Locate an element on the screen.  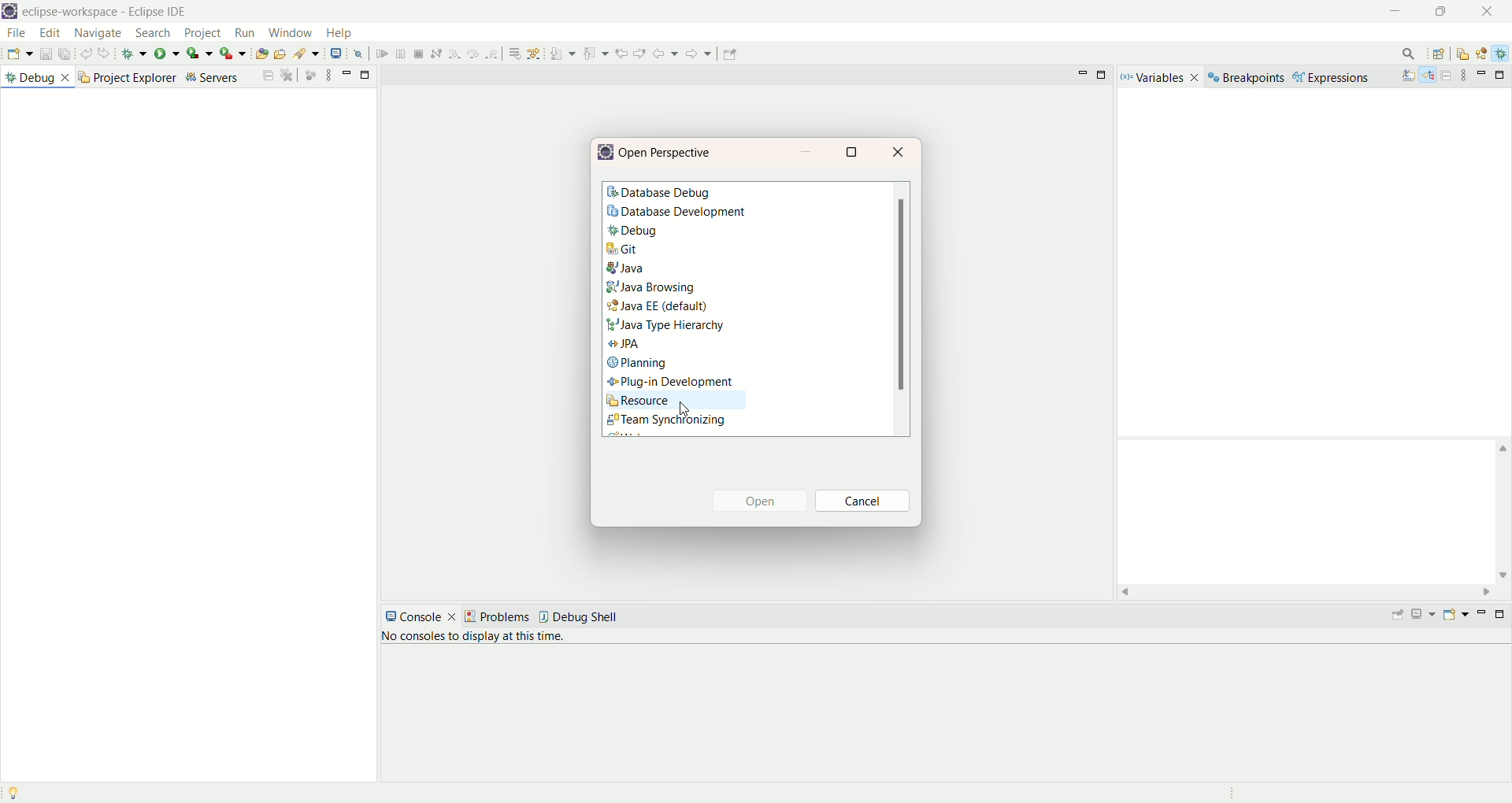
Java EE is located at coordinates (660, 305).